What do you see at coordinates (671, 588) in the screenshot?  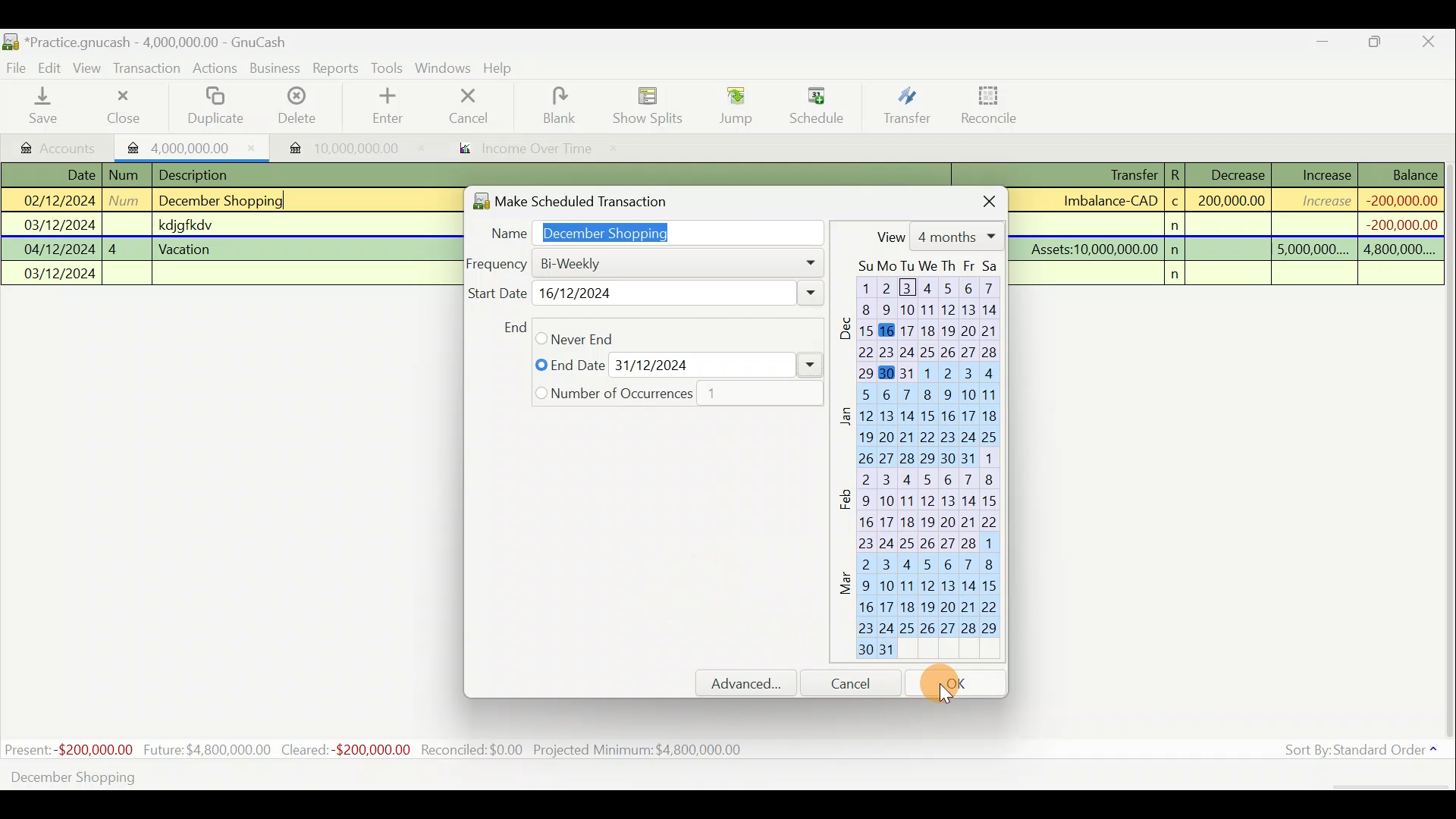 I see `Cursor` at bounding box center [671, 588].